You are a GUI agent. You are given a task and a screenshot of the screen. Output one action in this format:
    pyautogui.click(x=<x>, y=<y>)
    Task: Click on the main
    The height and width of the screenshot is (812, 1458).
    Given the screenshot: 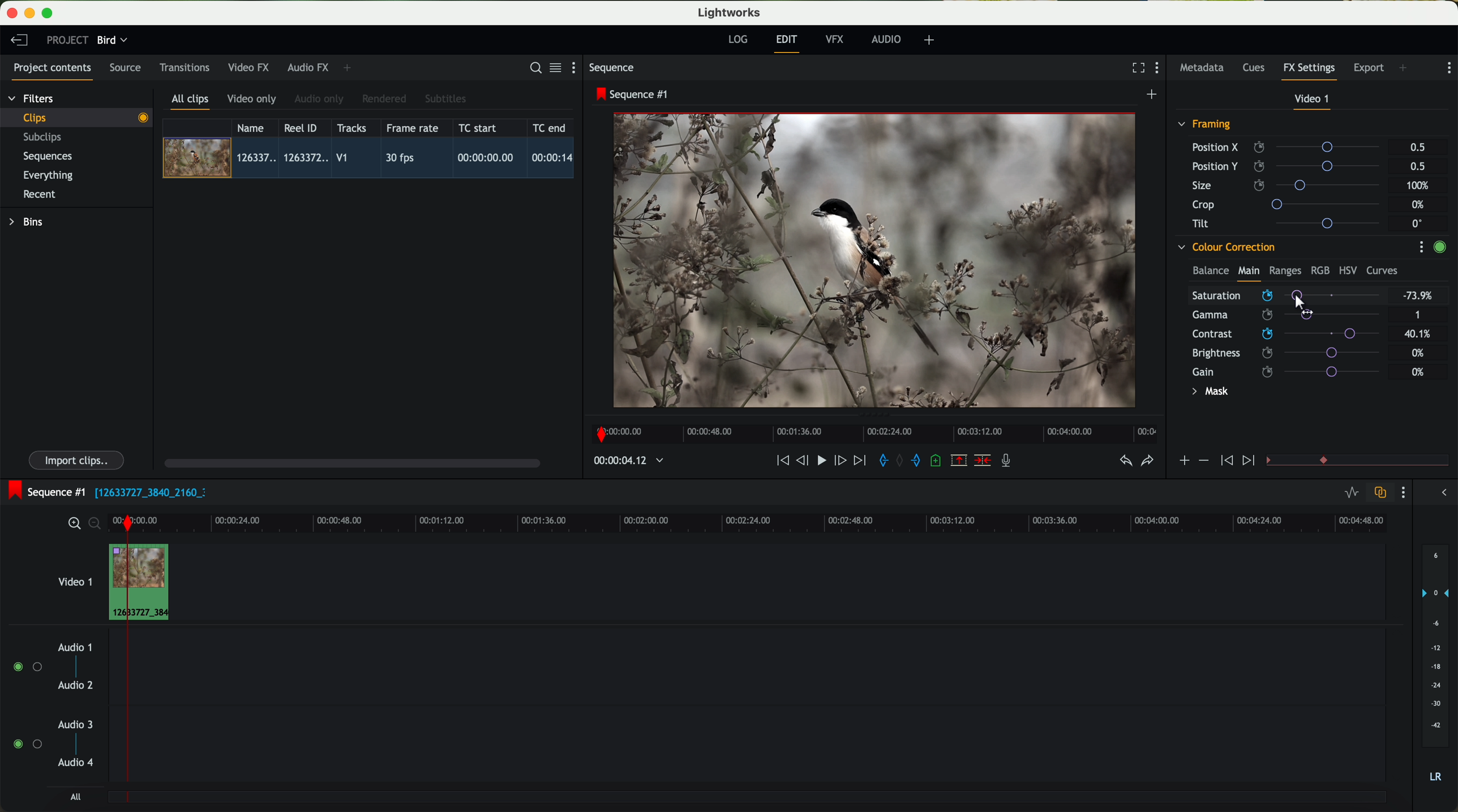 What is the action you would take?
    pyautogui.click(x=1249, y=273)
    